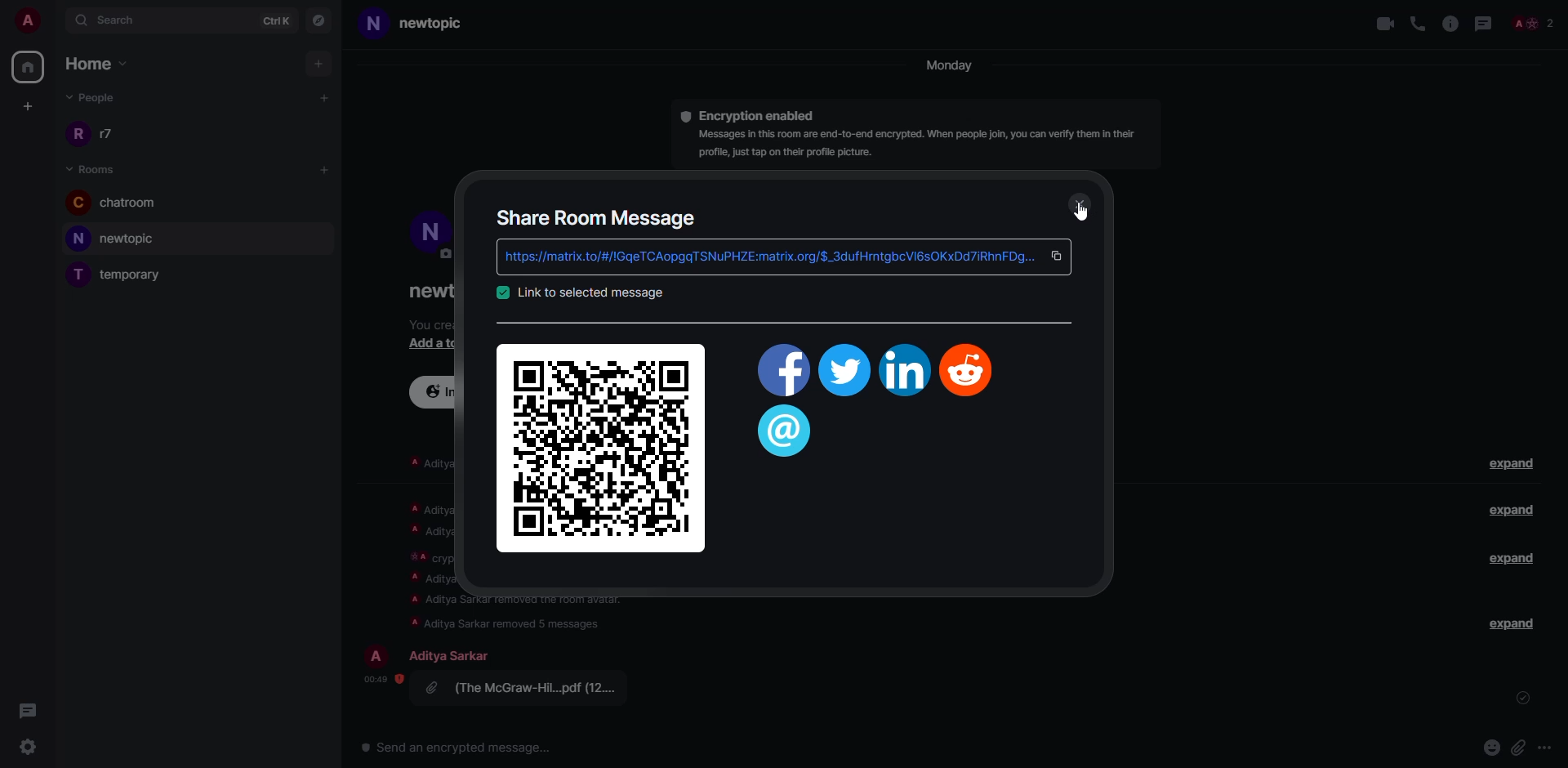 The image size is (1568, 768). Describe the element at coordinates (1418, 23) in the screenshot. I see `voice call` at that location.